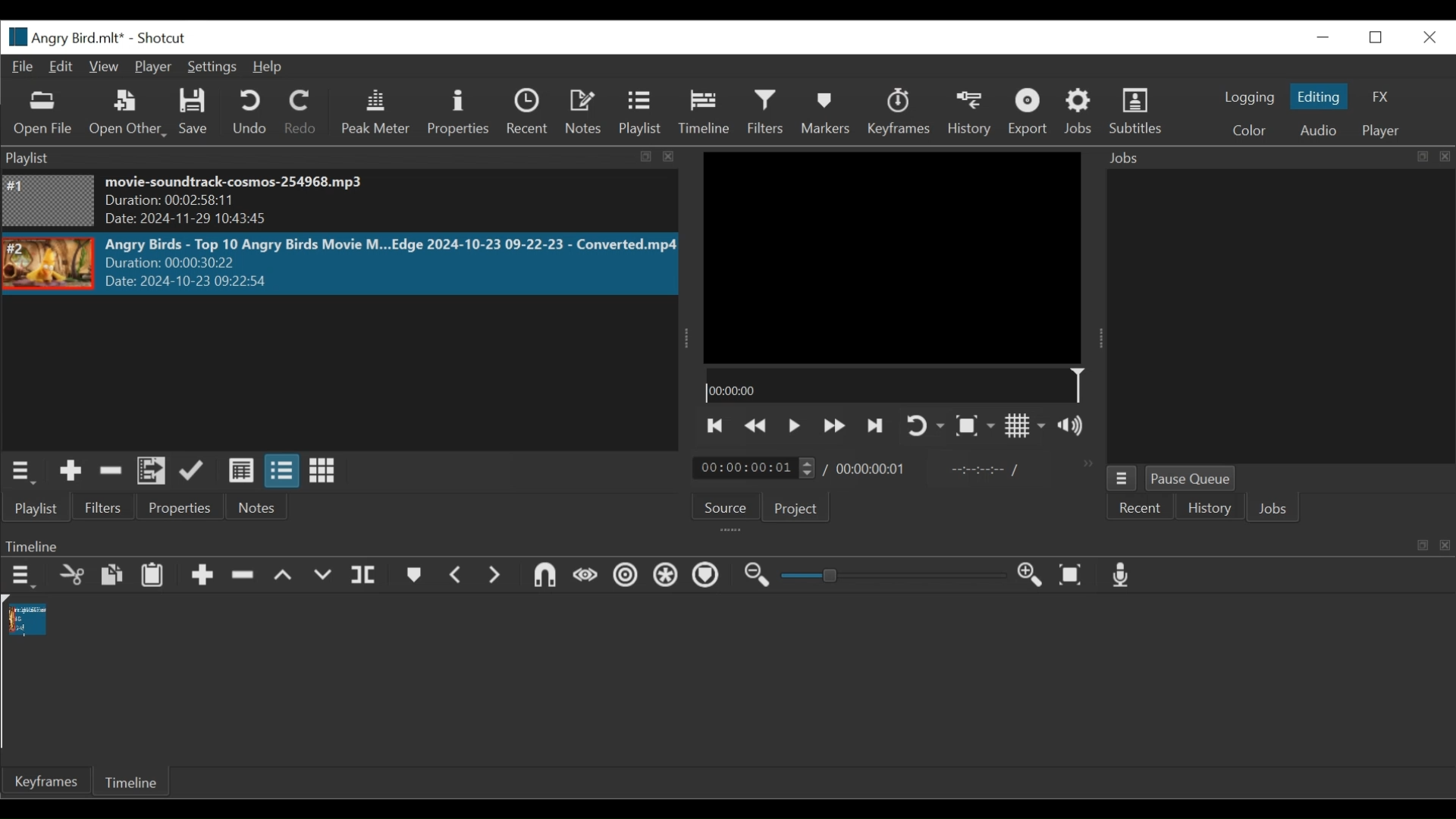 Image resolution: width=1456 pixels, height=819 pixels. Describe the element at coordinates (868, 469) in the screenshot. I see `00:00:00:01 (Total Duration)` at that location.